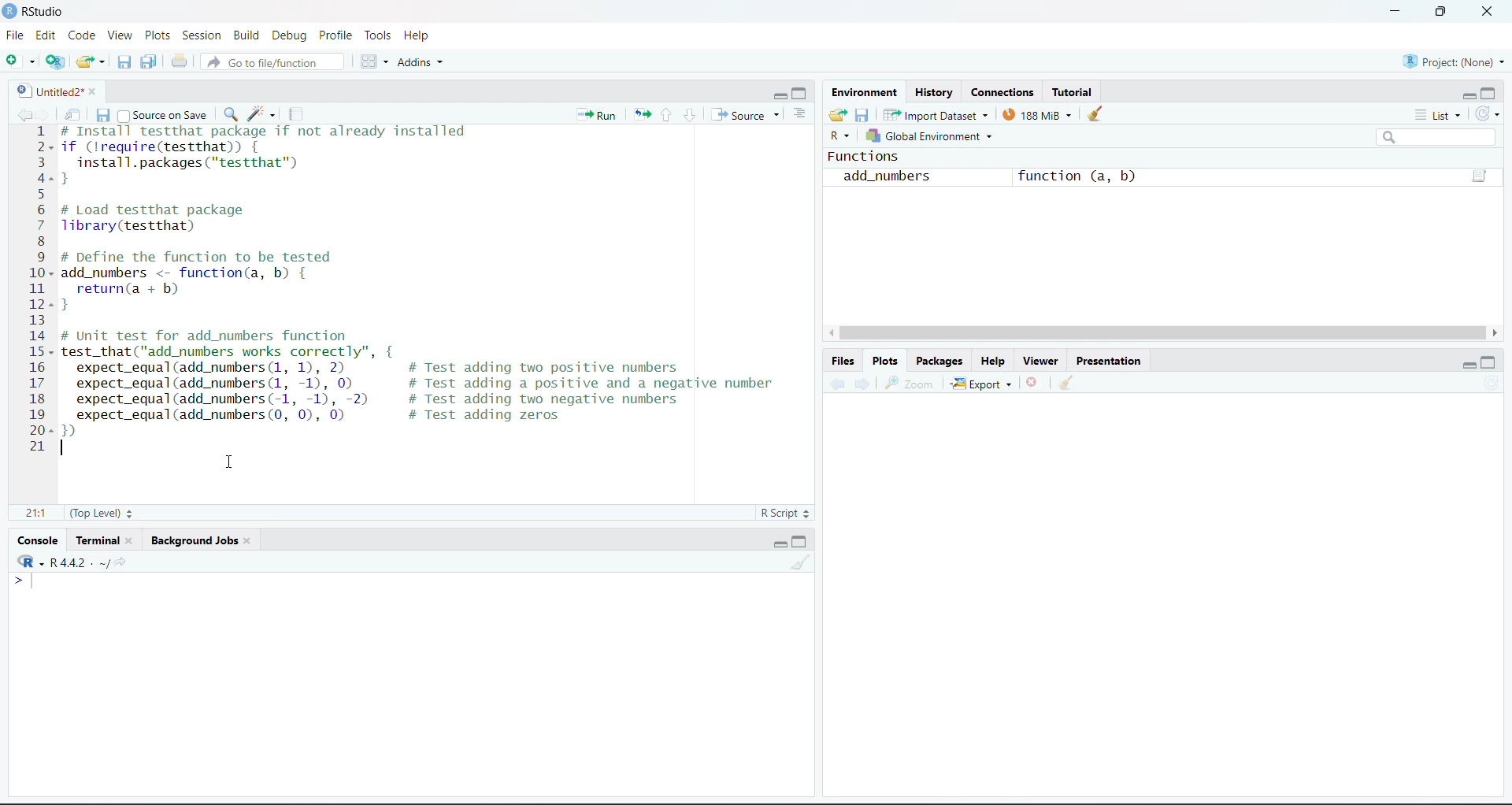 The width and height of the screenshot is (1512, 805). I want to click on add_numbers, so click(885, 176).